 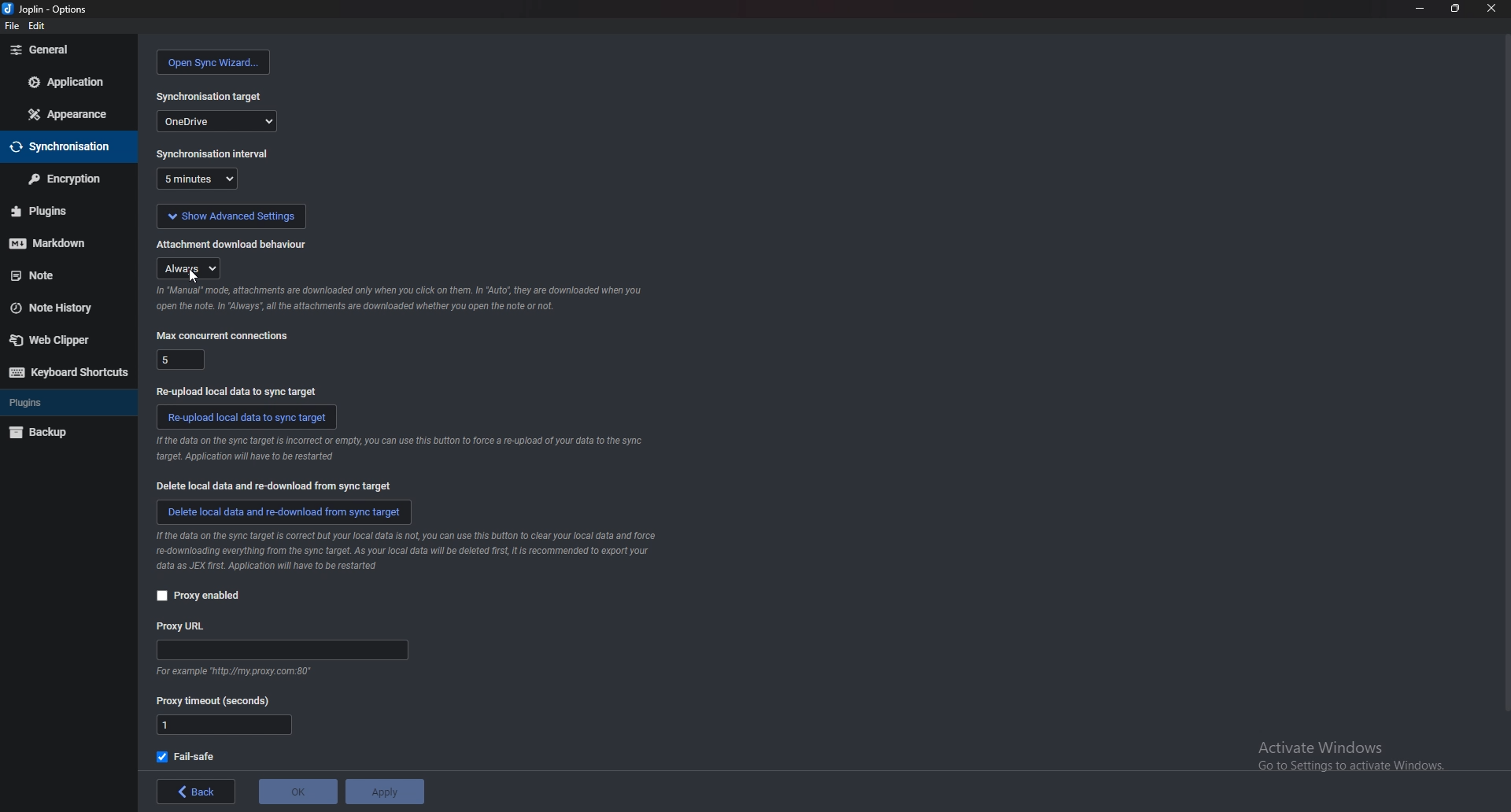 I want to click on resize, so click(x=1452, y=8).